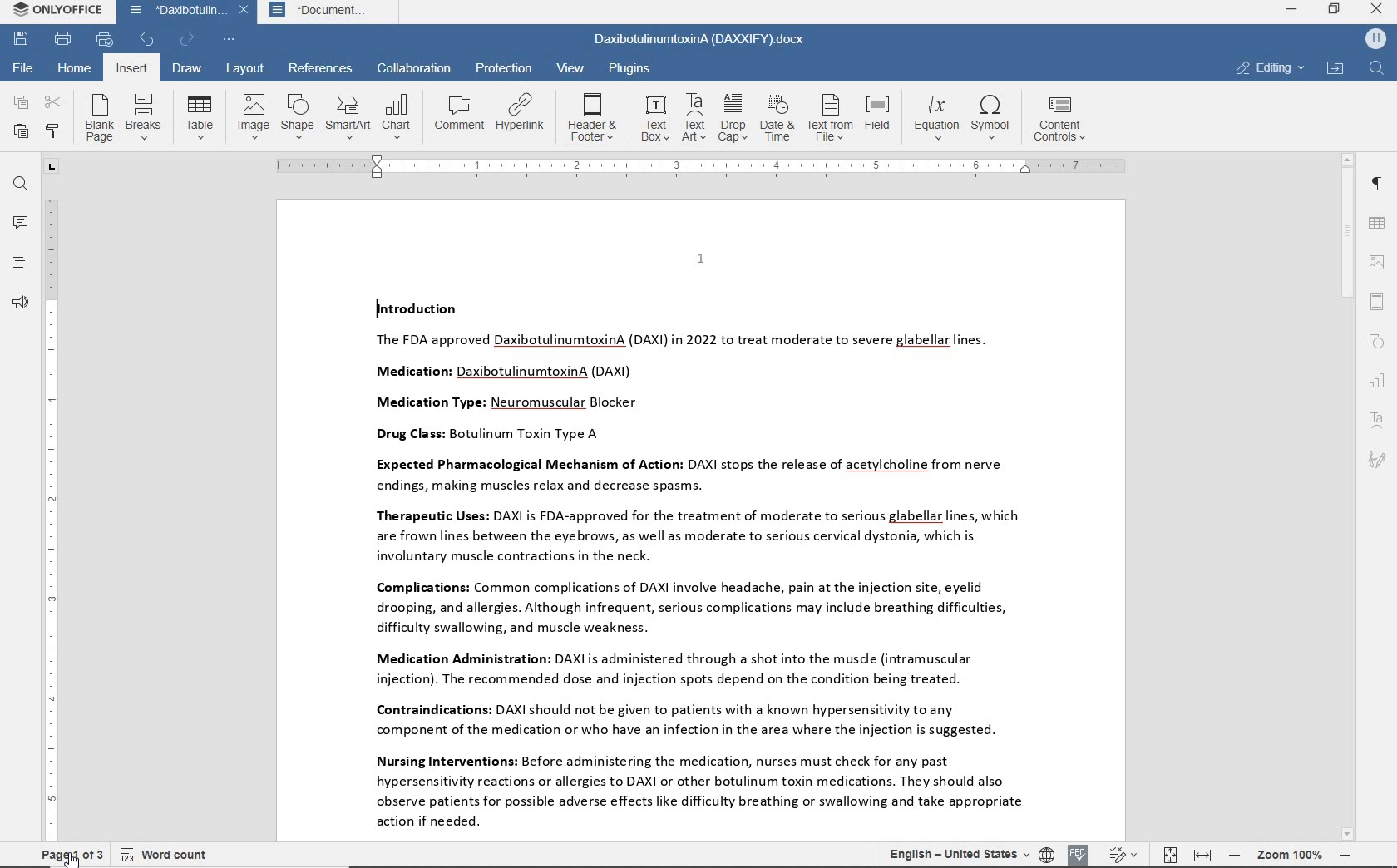 This screenshot has width=1397, height=868. I want to click on scrollbar, so click(1348, 498).